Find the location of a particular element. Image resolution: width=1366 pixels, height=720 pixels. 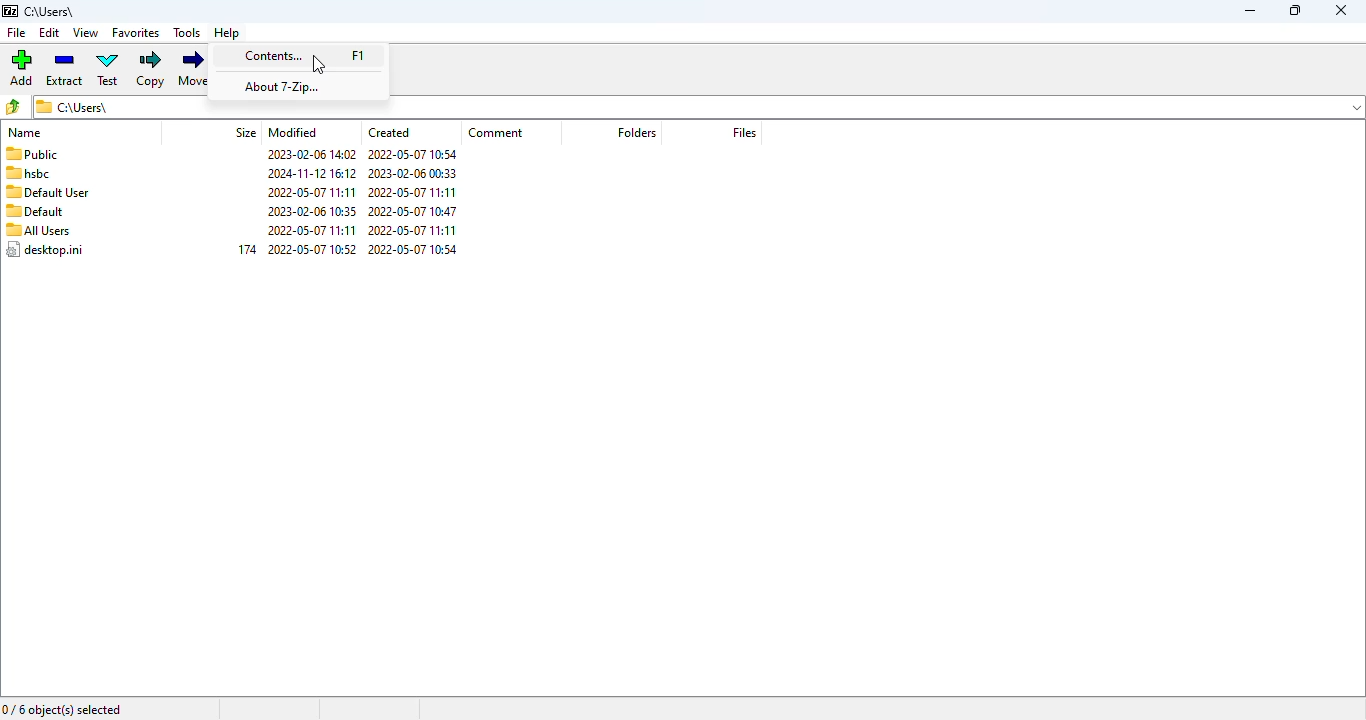

size is located at coordinates (248, 249).